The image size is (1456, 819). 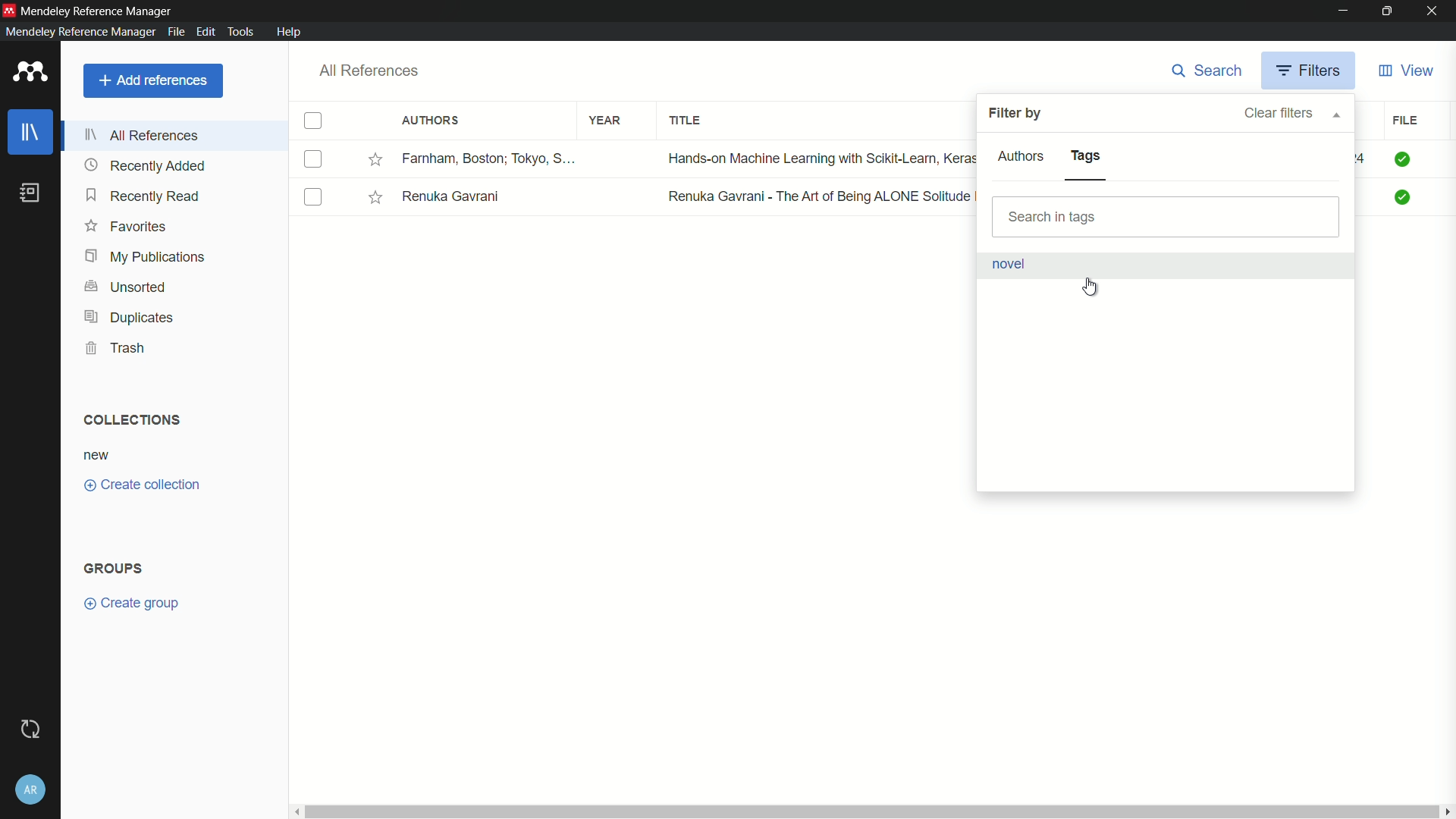 What do you see at coordinates (143, 484) in the screenshot?
I see `create collection` at bounding box center [143, 484].